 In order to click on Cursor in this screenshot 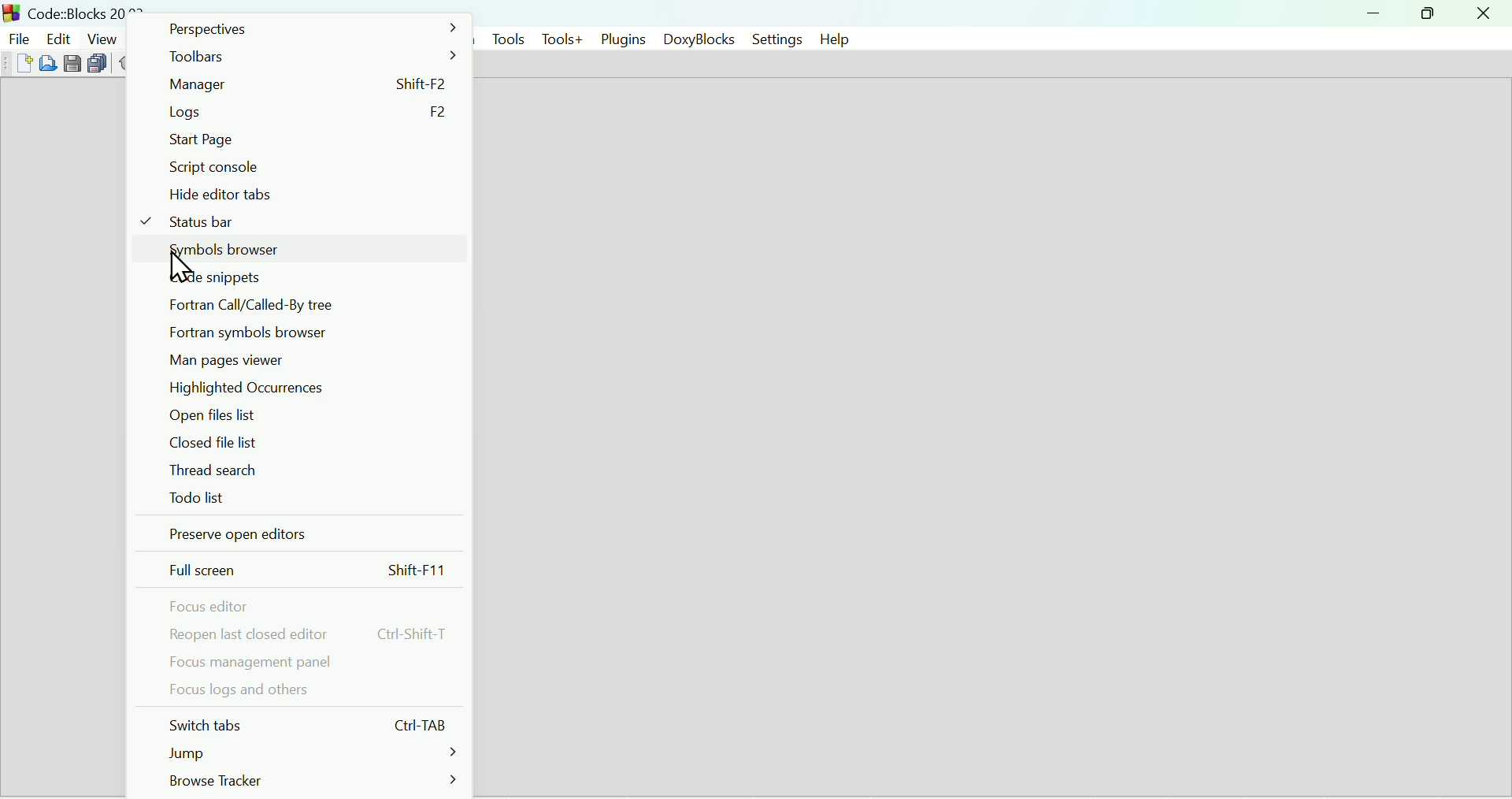, I will do `click(179, 270)`.